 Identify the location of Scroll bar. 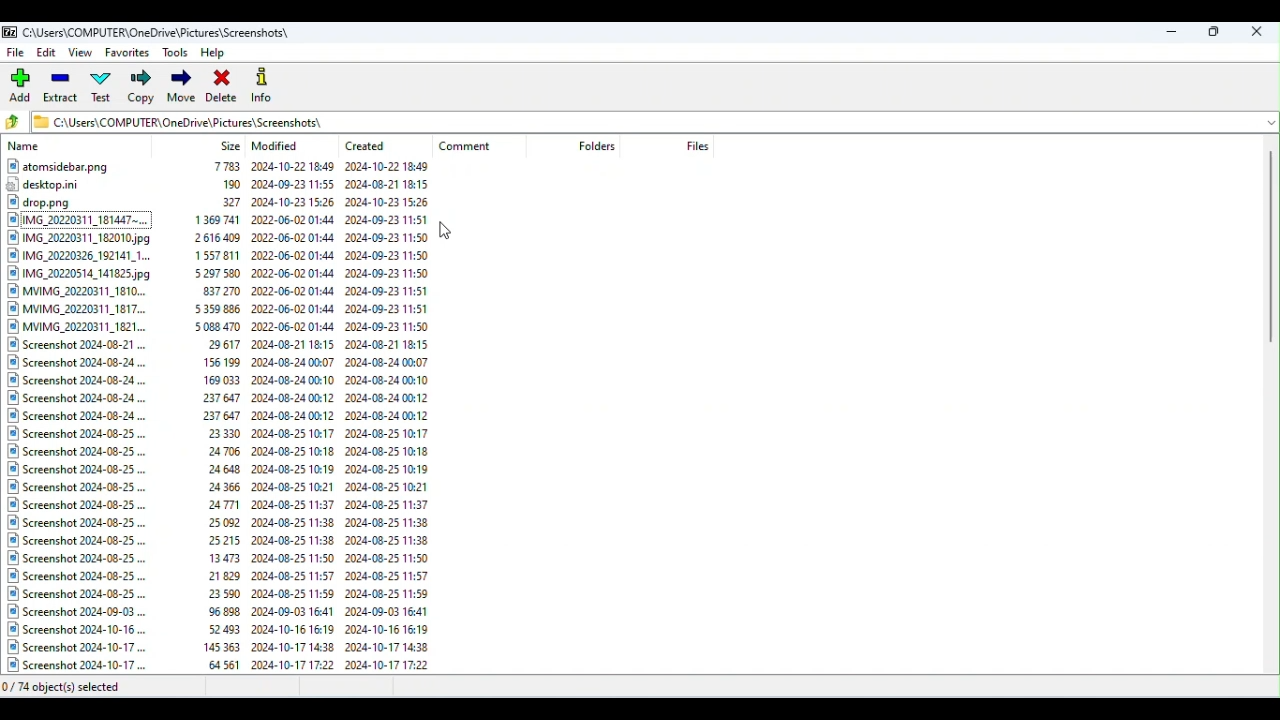
(1272, 407).